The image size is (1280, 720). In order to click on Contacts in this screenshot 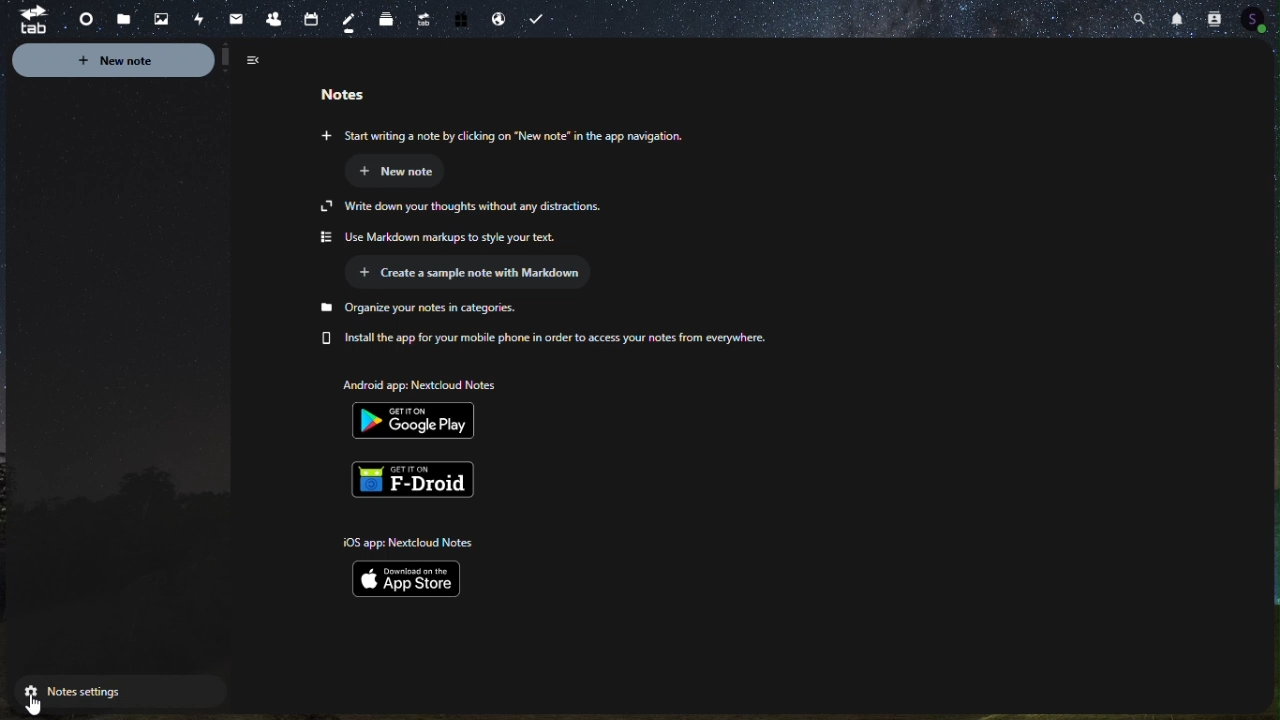, I will do `click(307, 16)`.